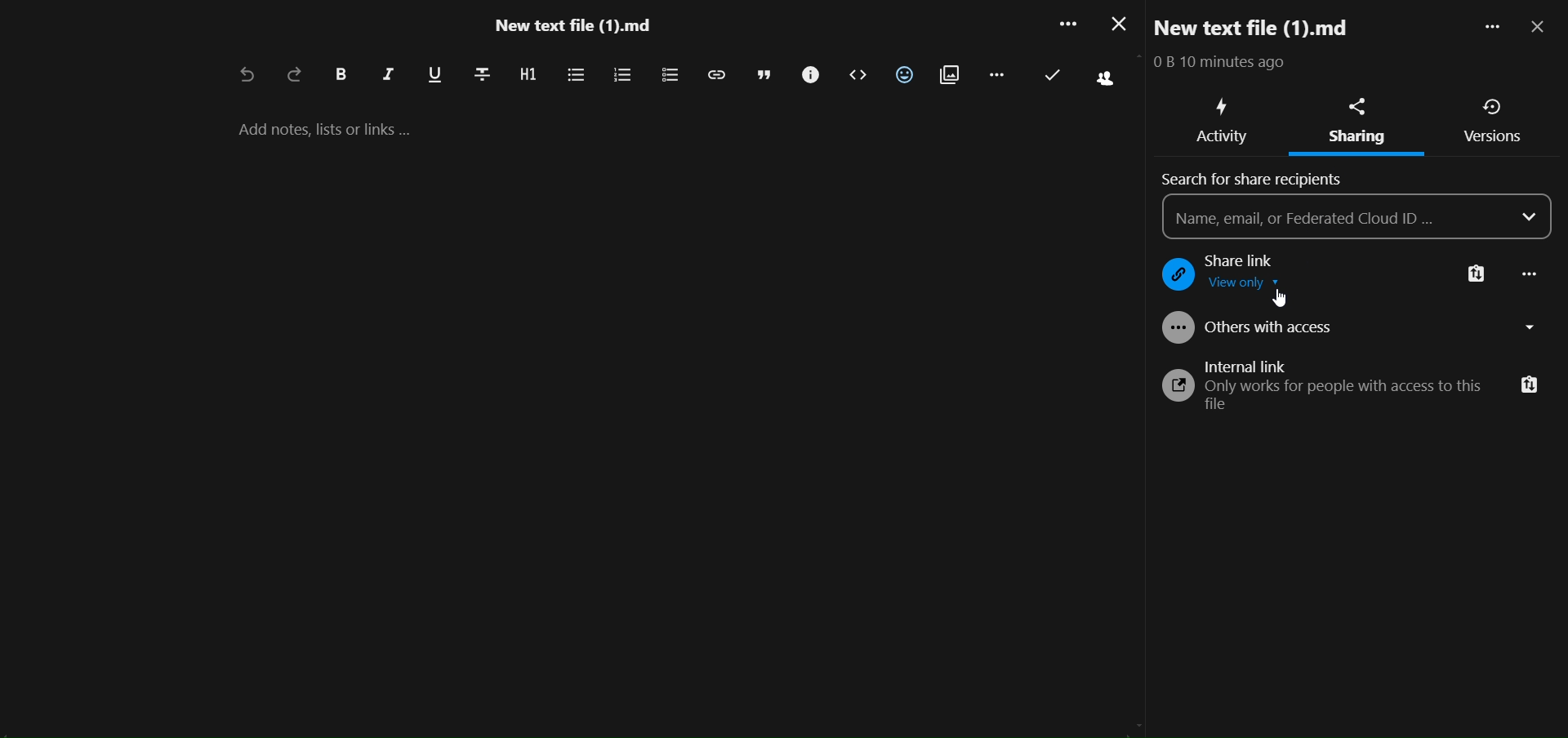 This screenshot has width=1568, height=738. What do you see at coordinates (1337, 216) in the screenshot?
I see `name/mail area` at bounding box center [1337, 216].